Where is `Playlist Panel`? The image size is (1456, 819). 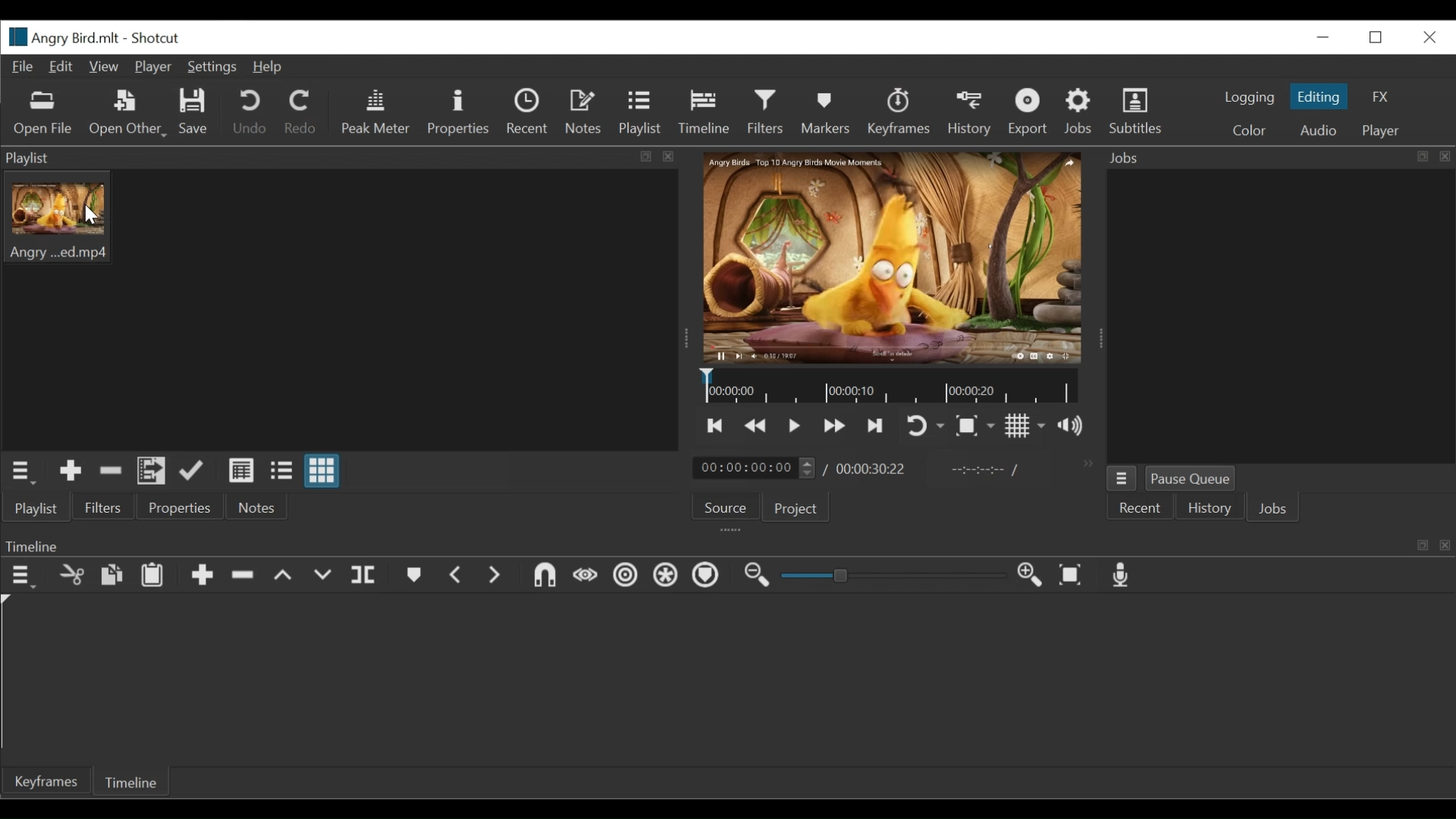 Playlist Panel is located at coordinates (343, 157).